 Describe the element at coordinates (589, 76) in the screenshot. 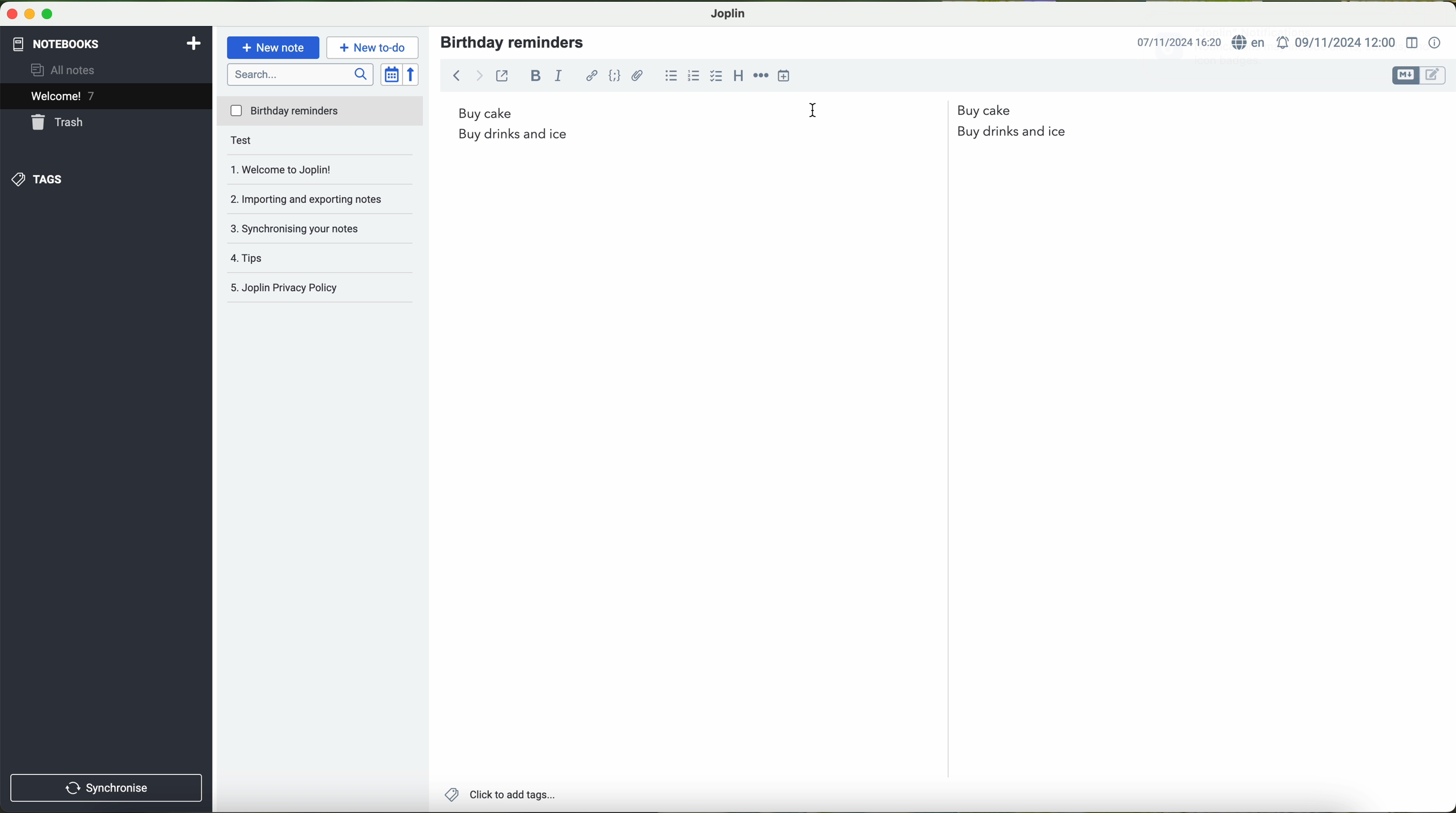

I see `hyperlink` at that location.